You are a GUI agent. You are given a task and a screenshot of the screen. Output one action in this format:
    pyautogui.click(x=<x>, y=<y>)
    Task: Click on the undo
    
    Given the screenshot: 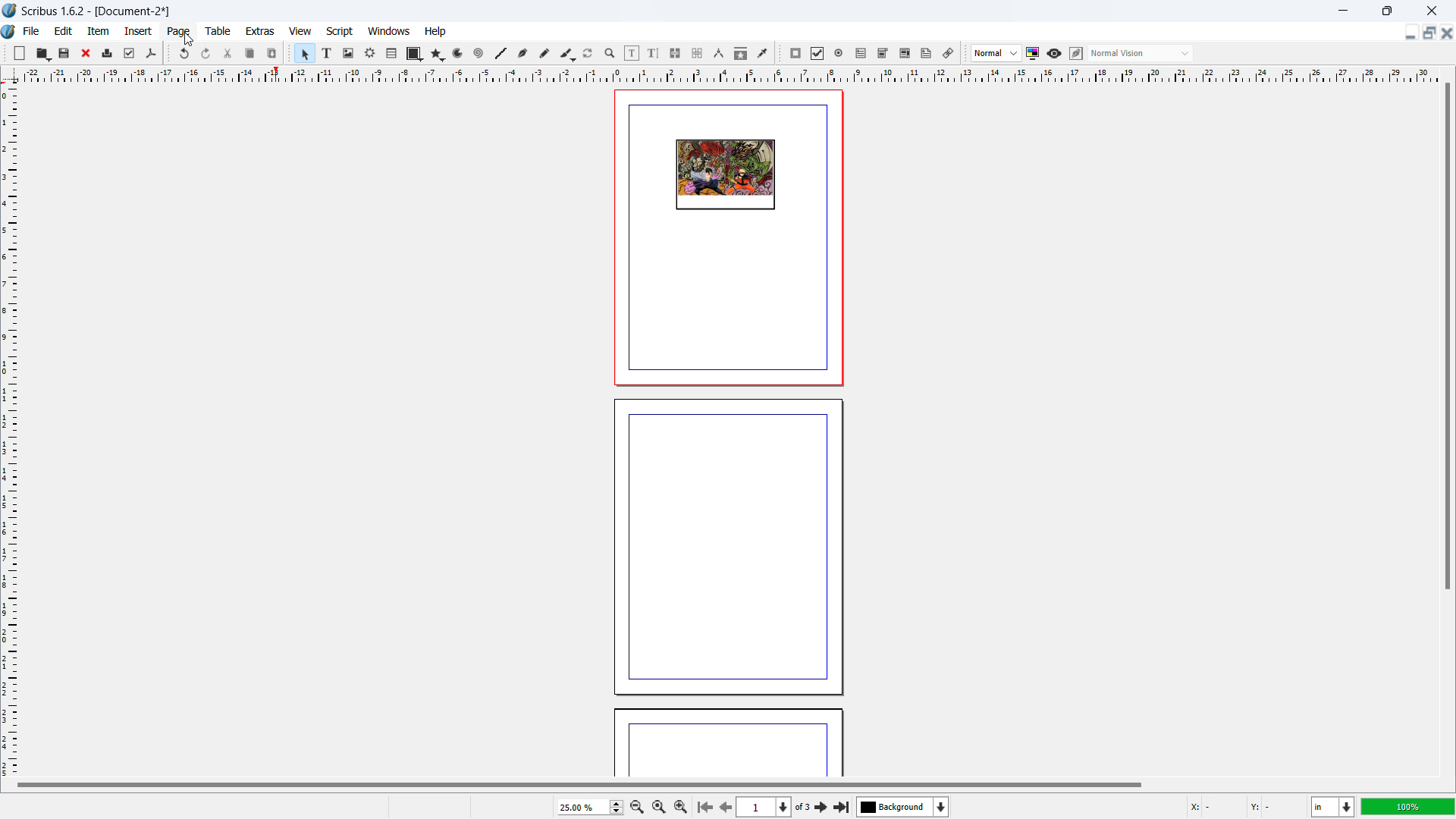 What is the action you would take?
    pyautogui.click(x=186, y=53)
    